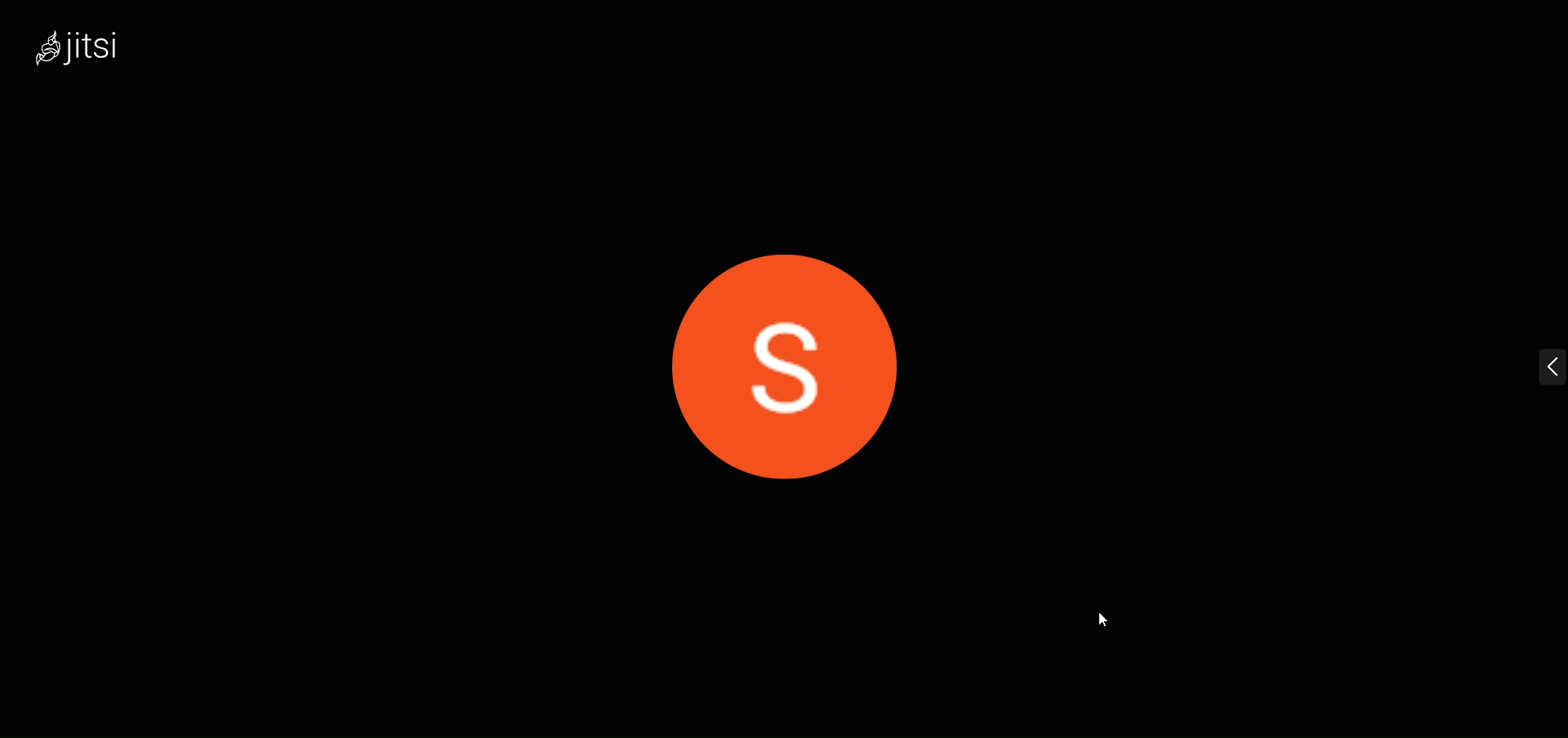 The height and width of the screenshot is (738, 1568). What do you see at coordinates (1108, 622) in the screenshot?
I see `cursor` at bounding box center [1108, 622].